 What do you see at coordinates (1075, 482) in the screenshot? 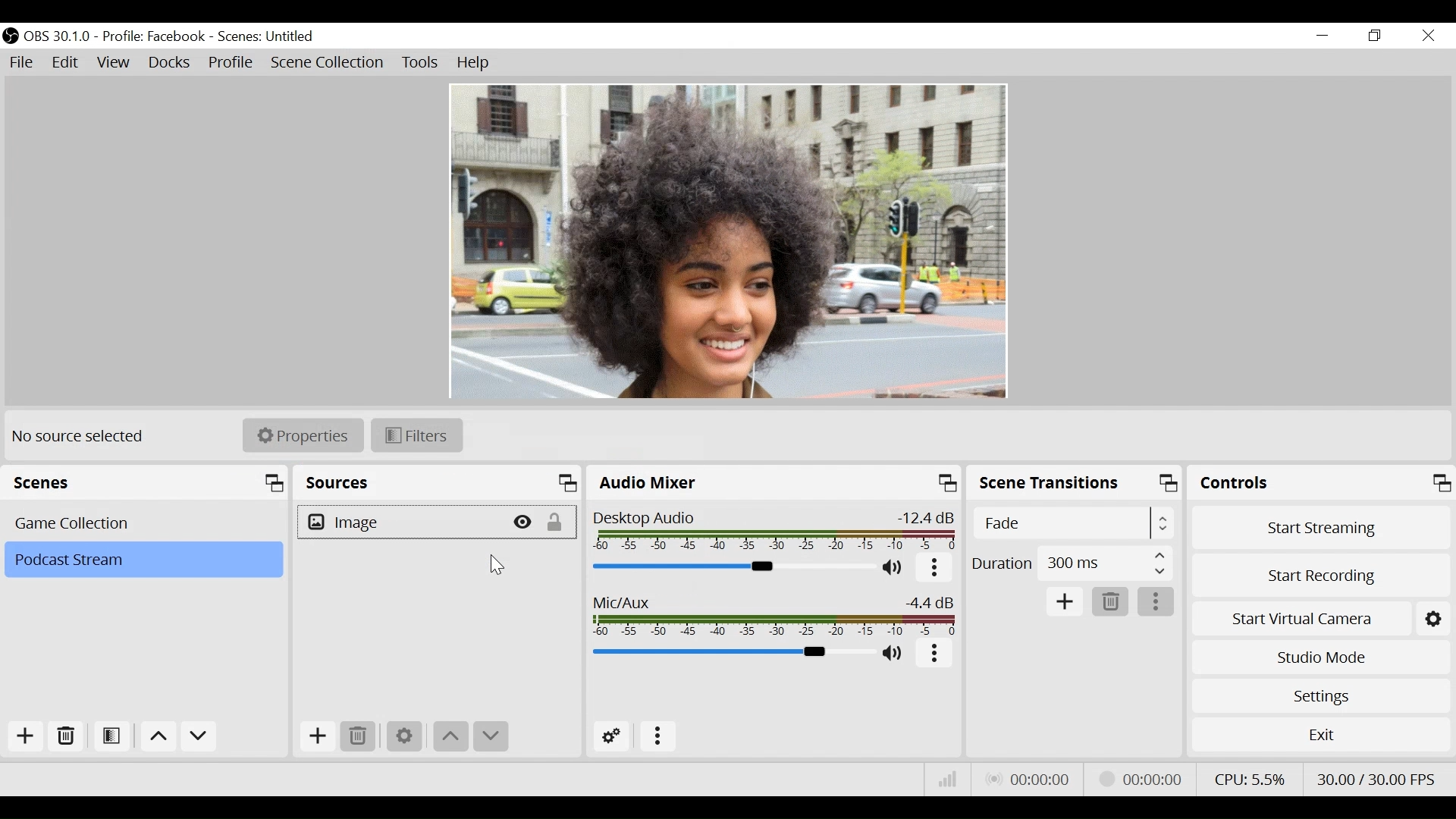
I see `Scene Transition` at bounding box center [1075, 482].